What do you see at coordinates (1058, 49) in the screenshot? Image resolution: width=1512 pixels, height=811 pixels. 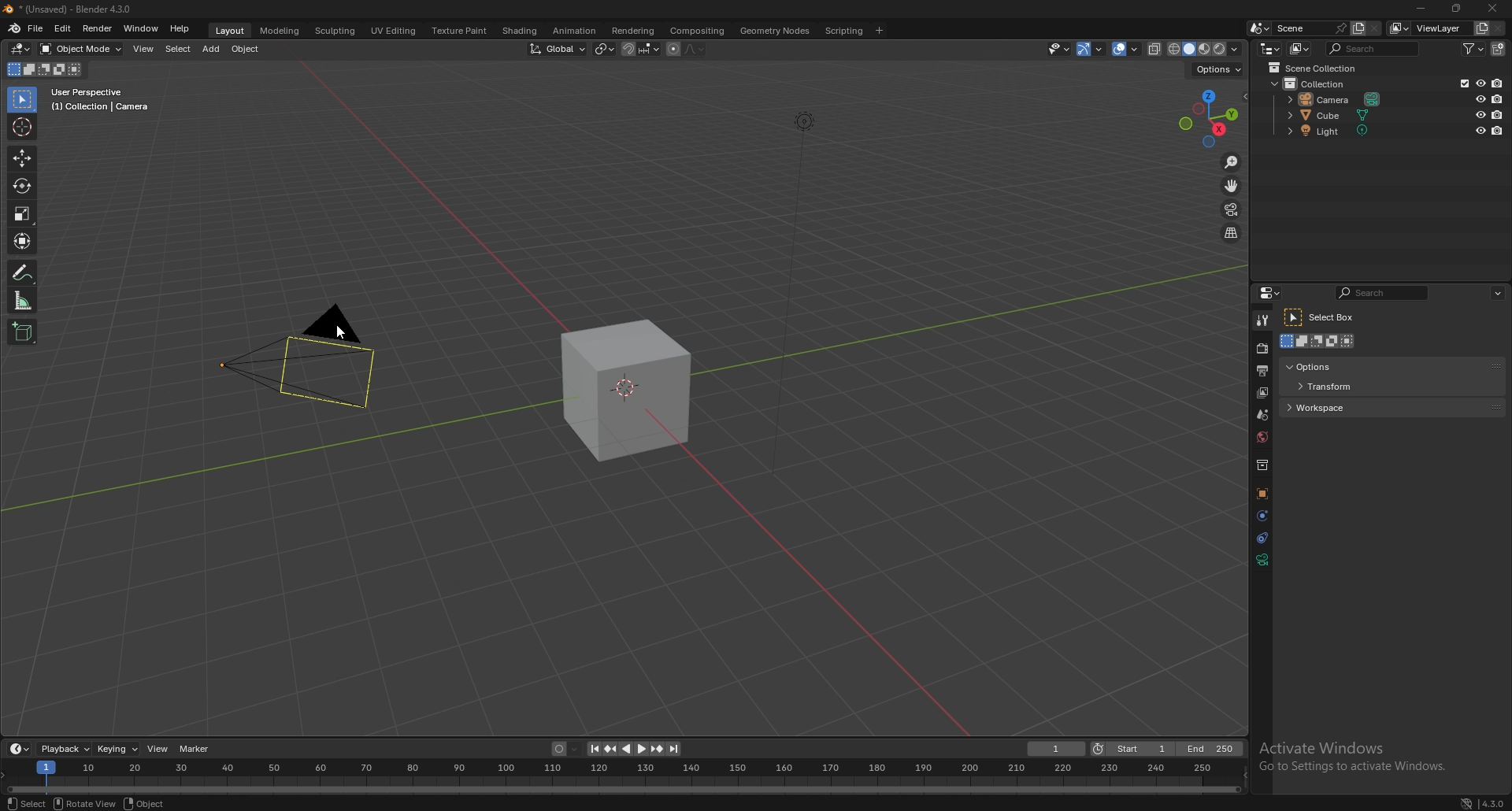 I see `selectibility and visibility` at bounding box center [1058, 49].